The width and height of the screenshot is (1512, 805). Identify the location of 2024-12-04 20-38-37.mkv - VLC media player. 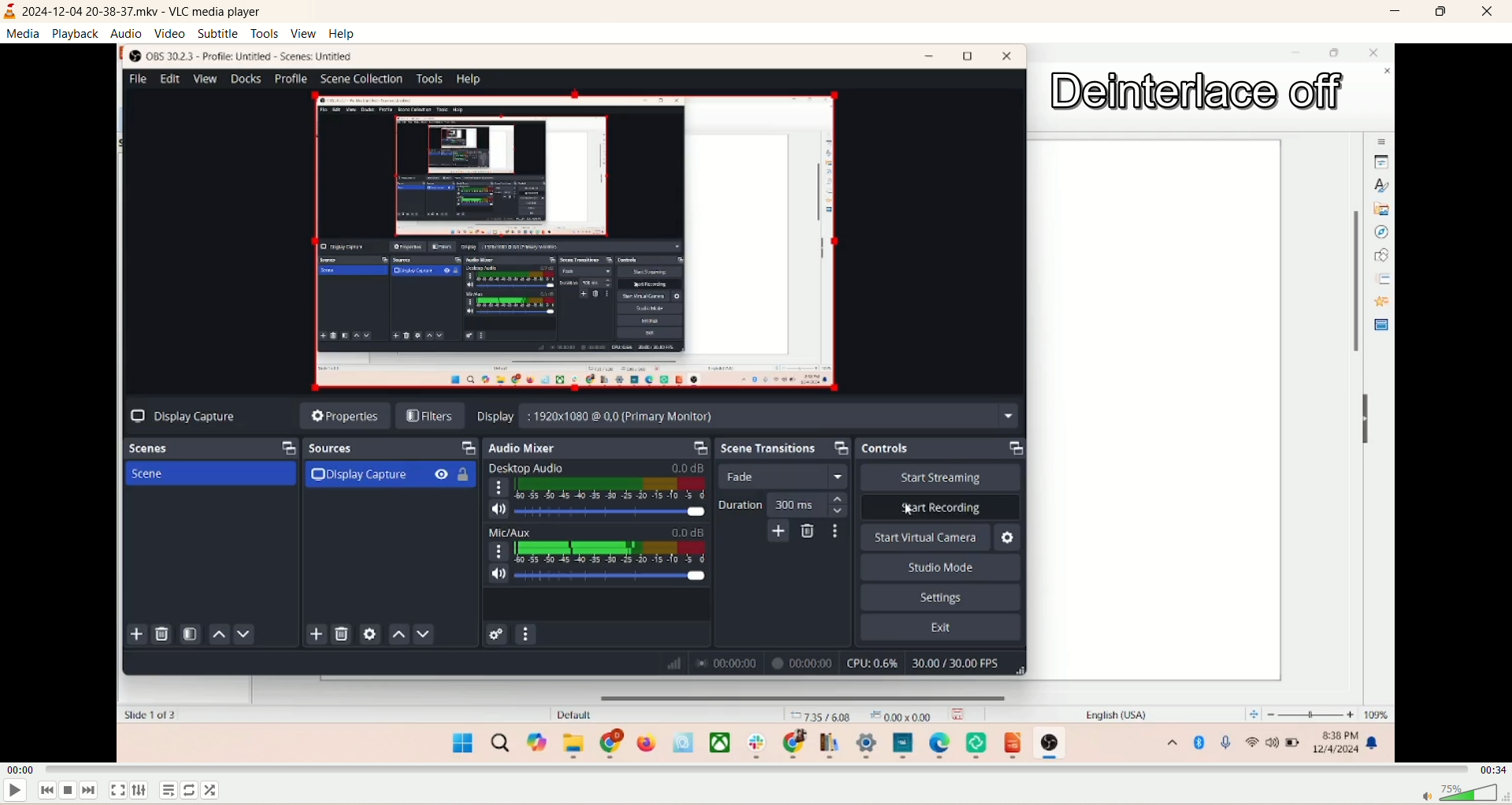
(147, 12).